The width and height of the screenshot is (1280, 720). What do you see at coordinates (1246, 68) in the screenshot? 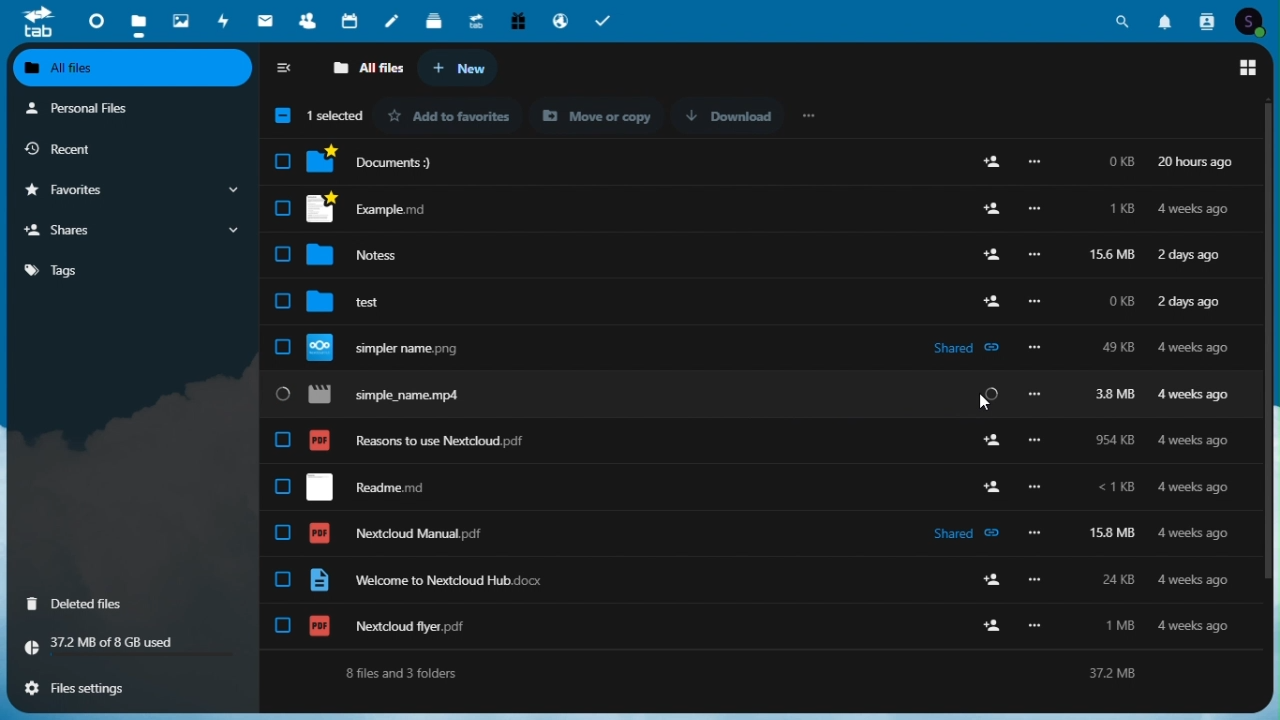
I see `Switch to gridview` at bounding box center [1246, 68].